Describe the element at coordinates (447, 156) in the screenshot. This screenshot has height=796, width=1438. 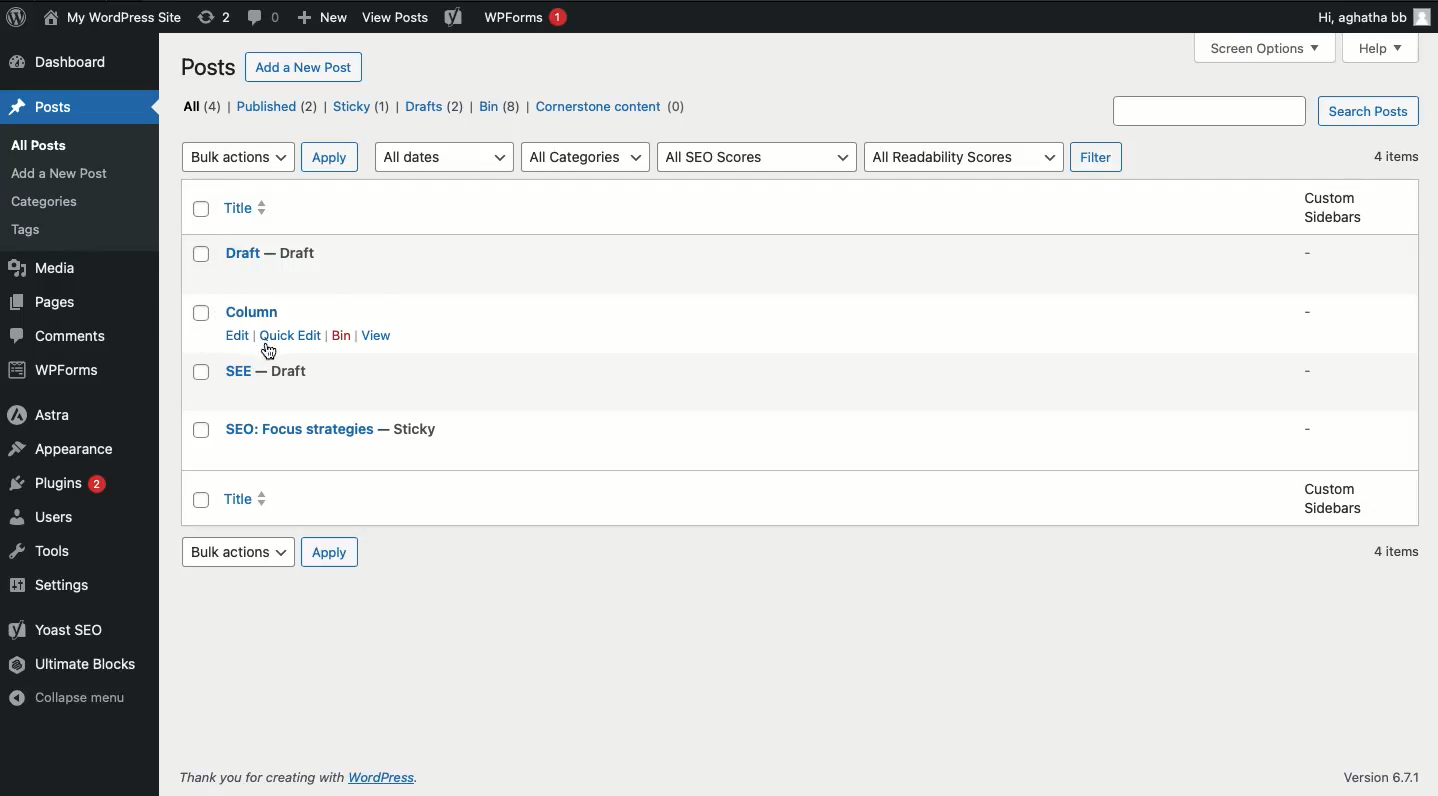
I see `All dates` at that location.